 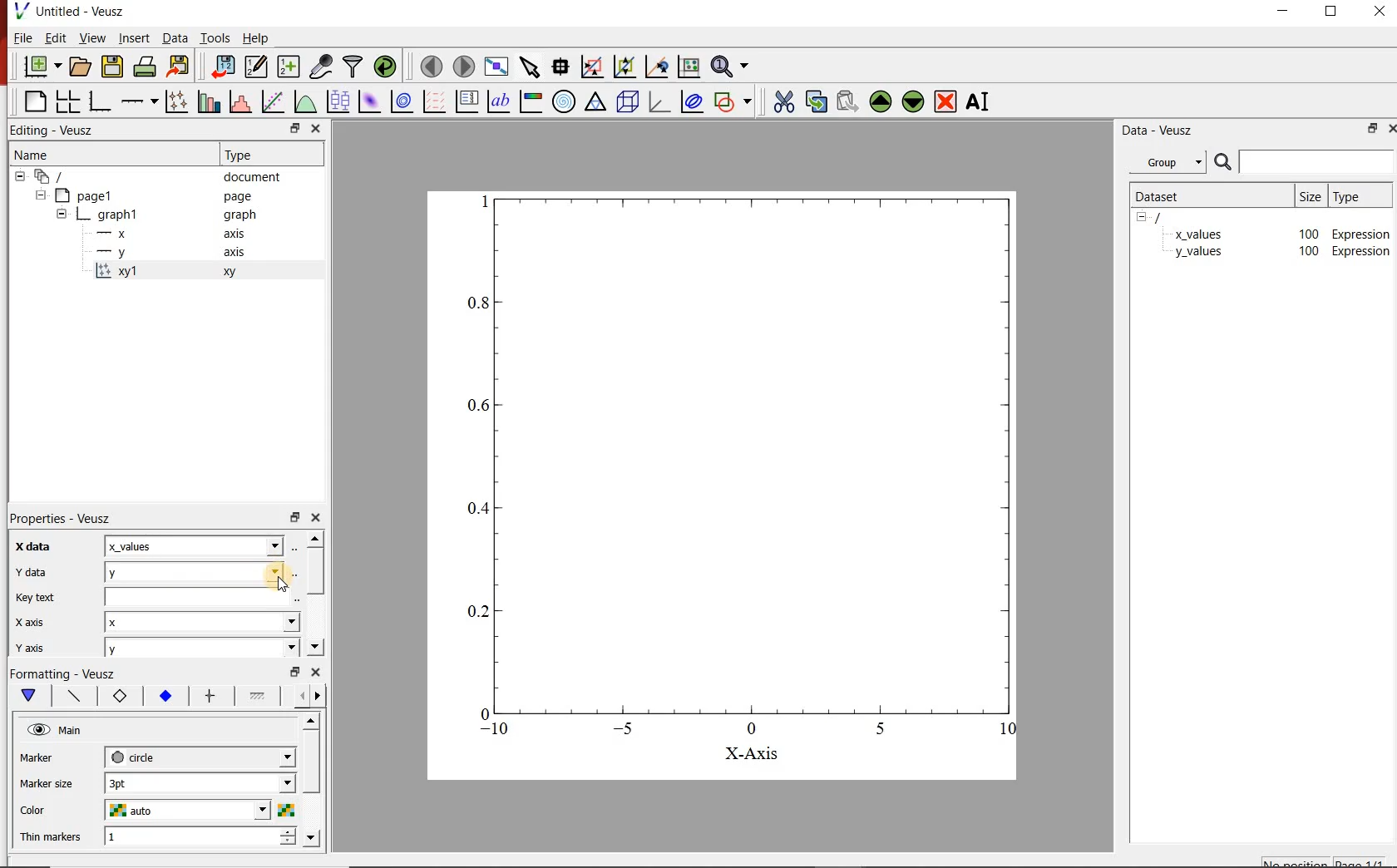 I want to click on view plot fullscreen, so click(x=499, y=67).